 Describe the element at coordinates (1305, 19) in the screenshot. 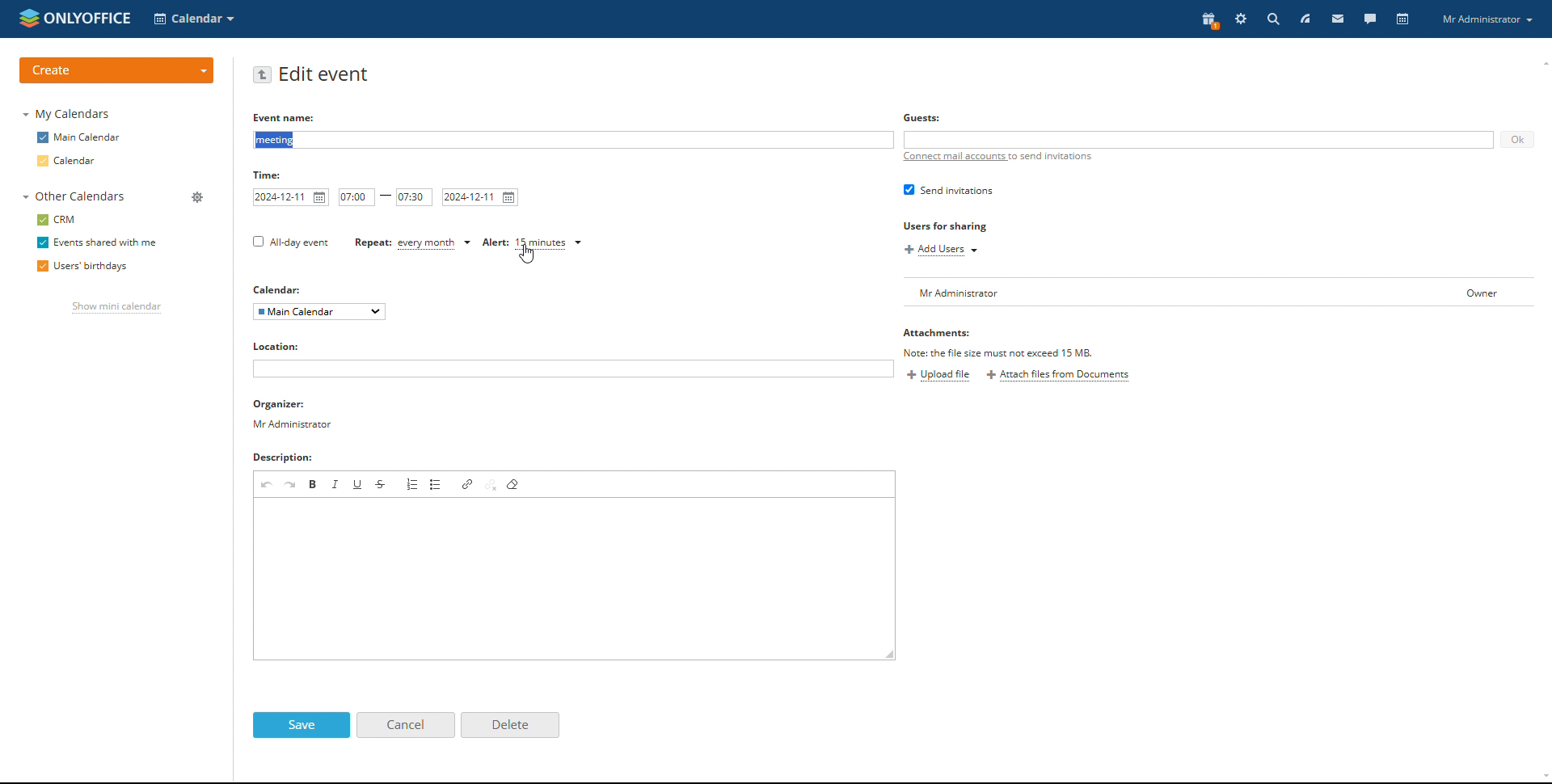

I see `feed` at that location.